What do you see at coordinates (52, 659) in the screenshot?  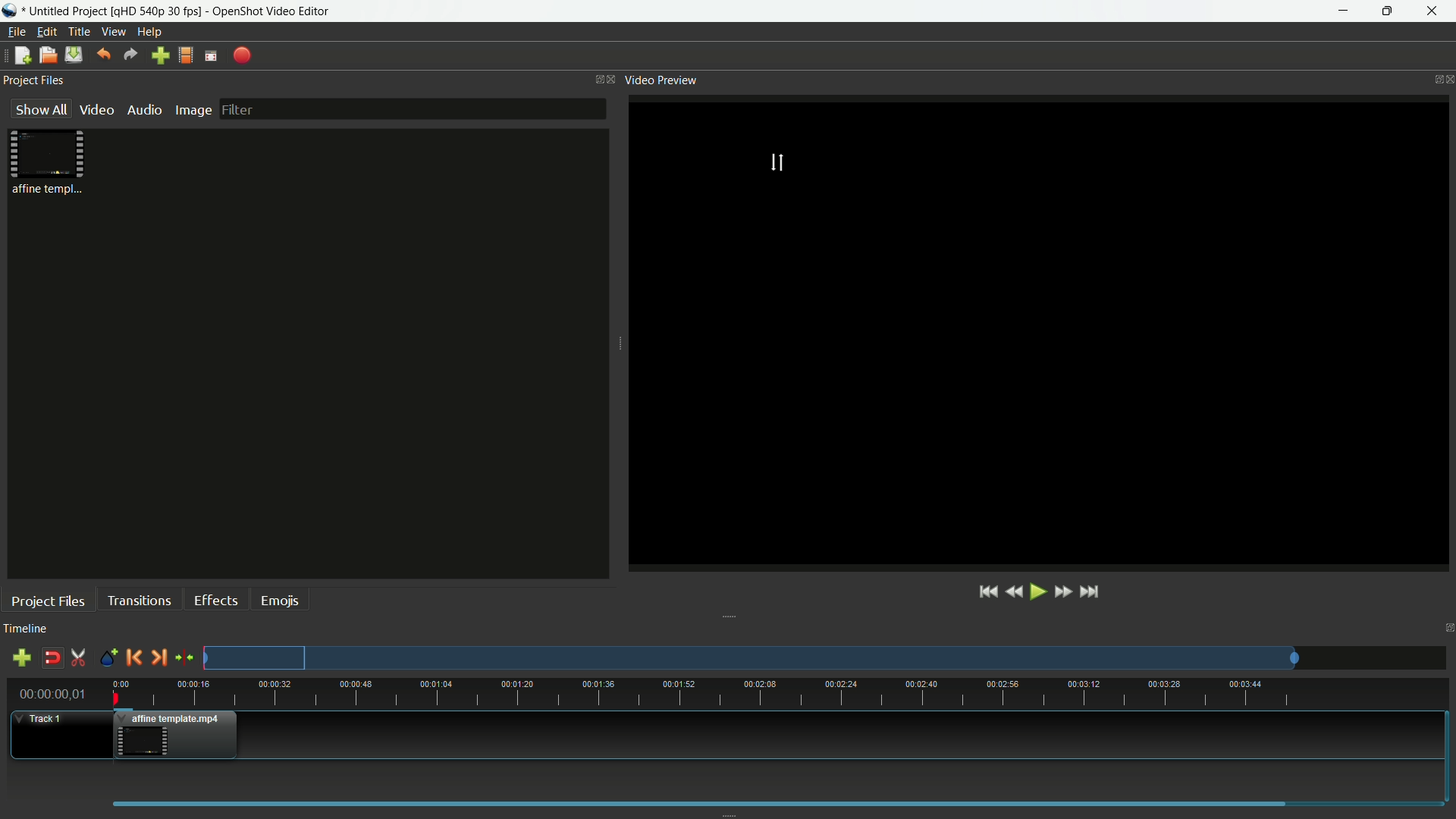 I see `disable snap ` at bounding box center [52, 659].